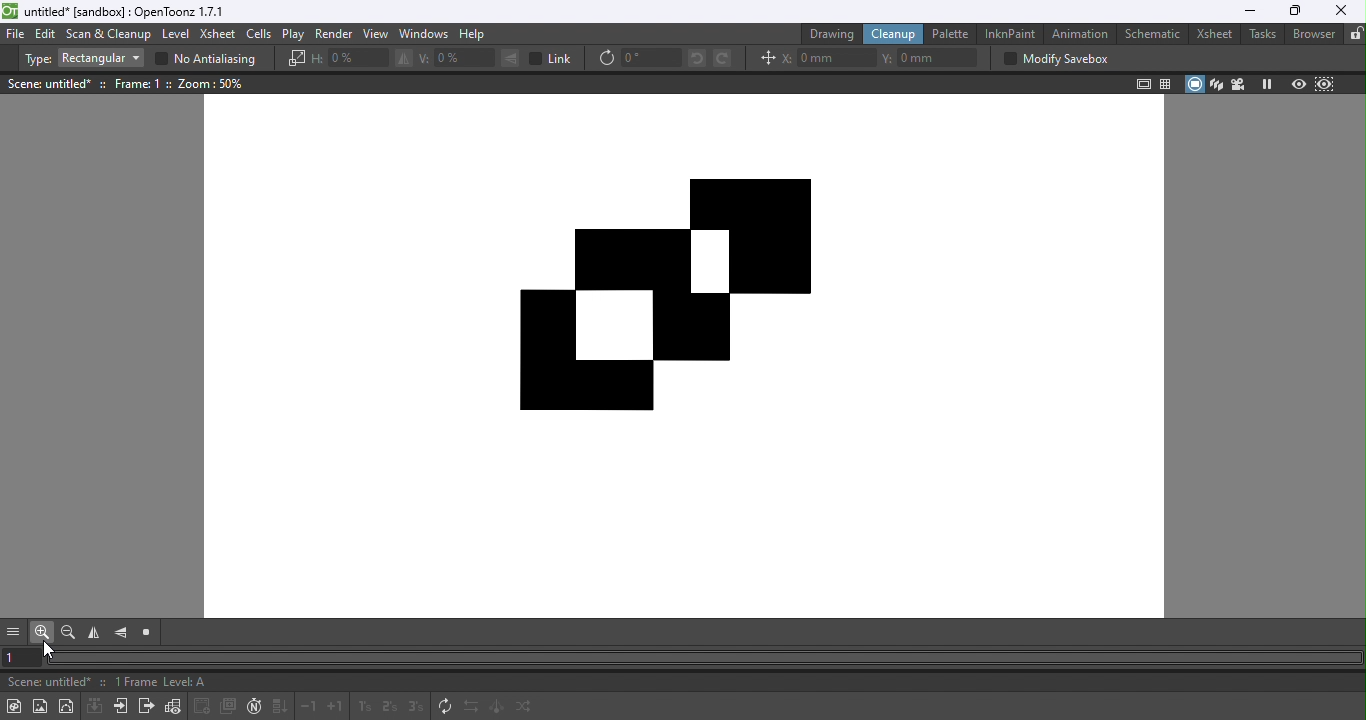  I want to click on Palette, so click(951, 34).